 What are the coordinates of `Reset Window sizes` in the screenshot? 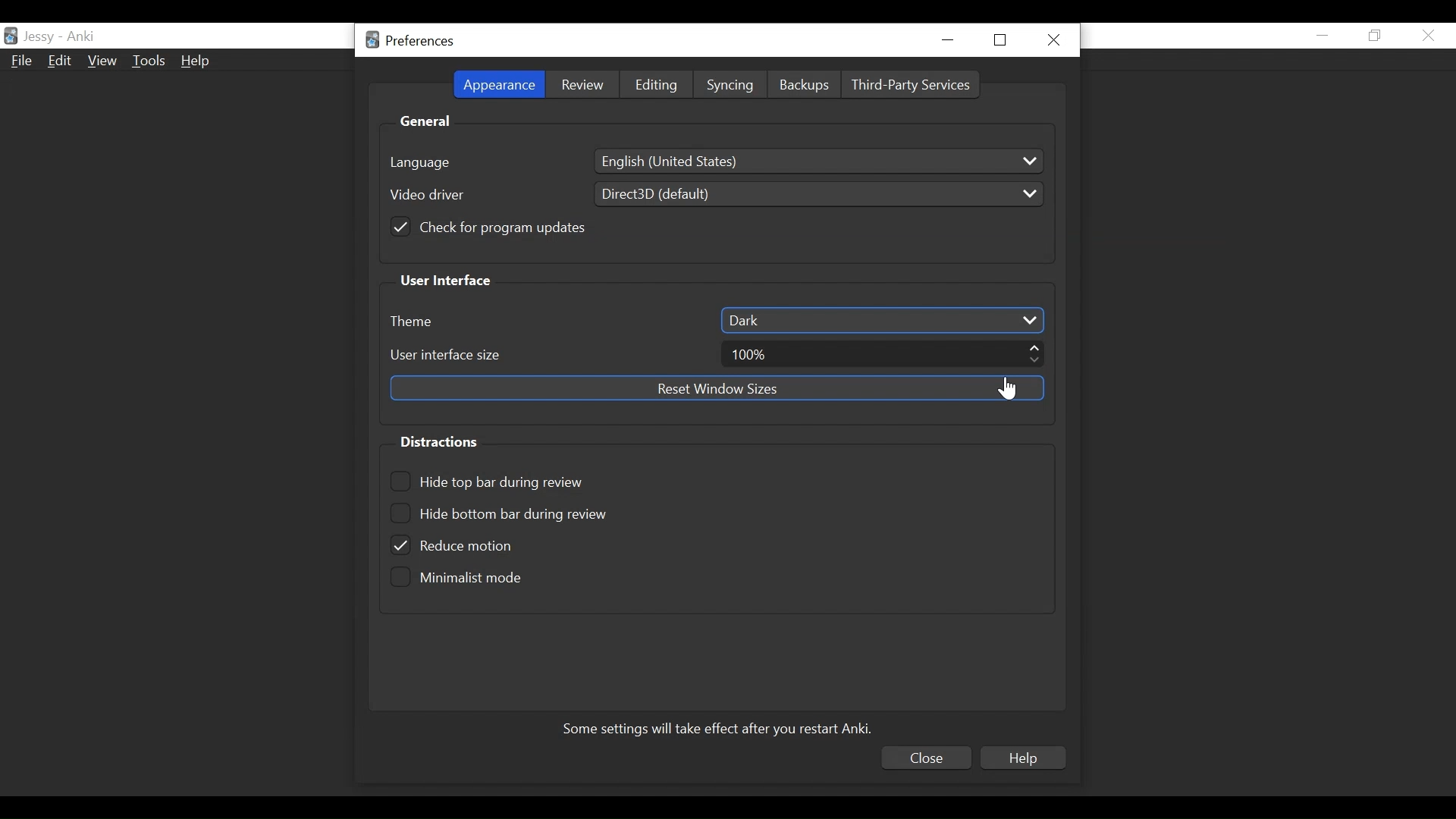 It's located at (716, 387).